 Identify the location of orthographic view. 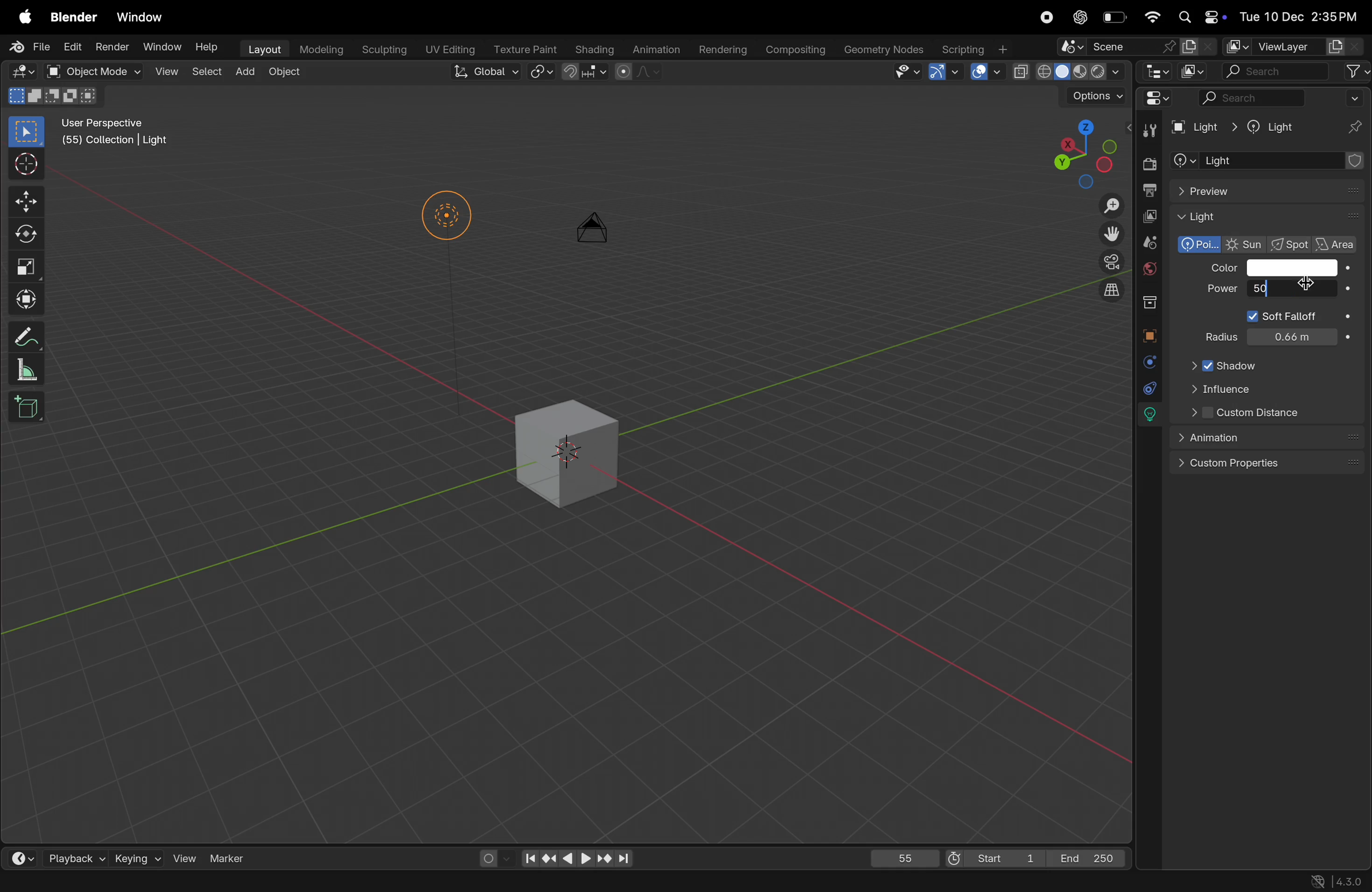
(1114, 293).